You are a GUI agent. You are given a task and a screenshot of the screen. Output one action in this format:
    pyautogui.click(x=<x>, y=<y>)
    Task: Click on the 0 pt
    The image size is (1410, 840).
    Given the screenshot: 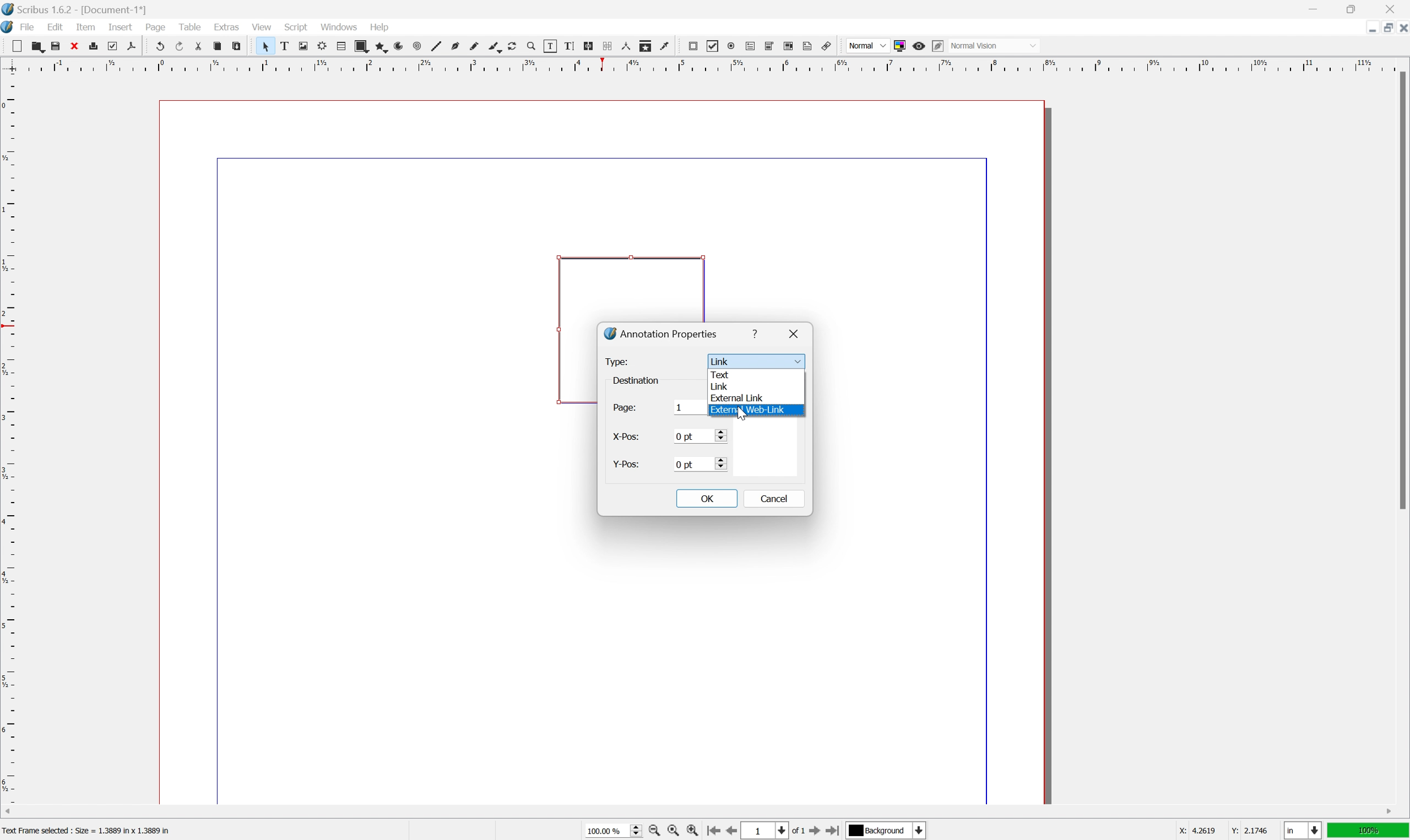 What is the action you would take?
    pyautogui.click(x=699, y=436)
    